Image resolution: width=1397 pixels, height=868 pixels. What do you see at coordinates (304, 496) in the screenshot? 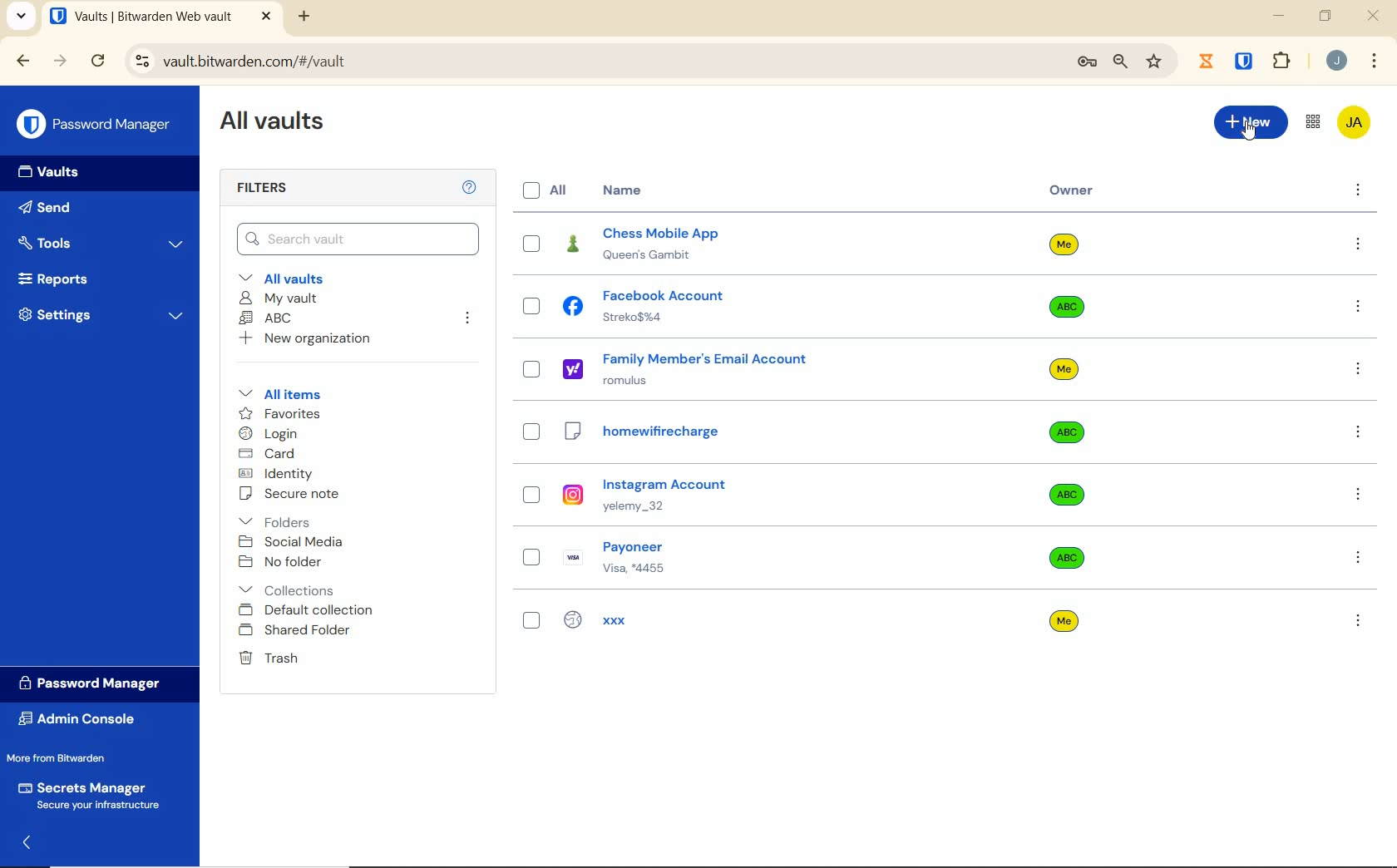
I see `secure note` at bounding box center [304, 496].